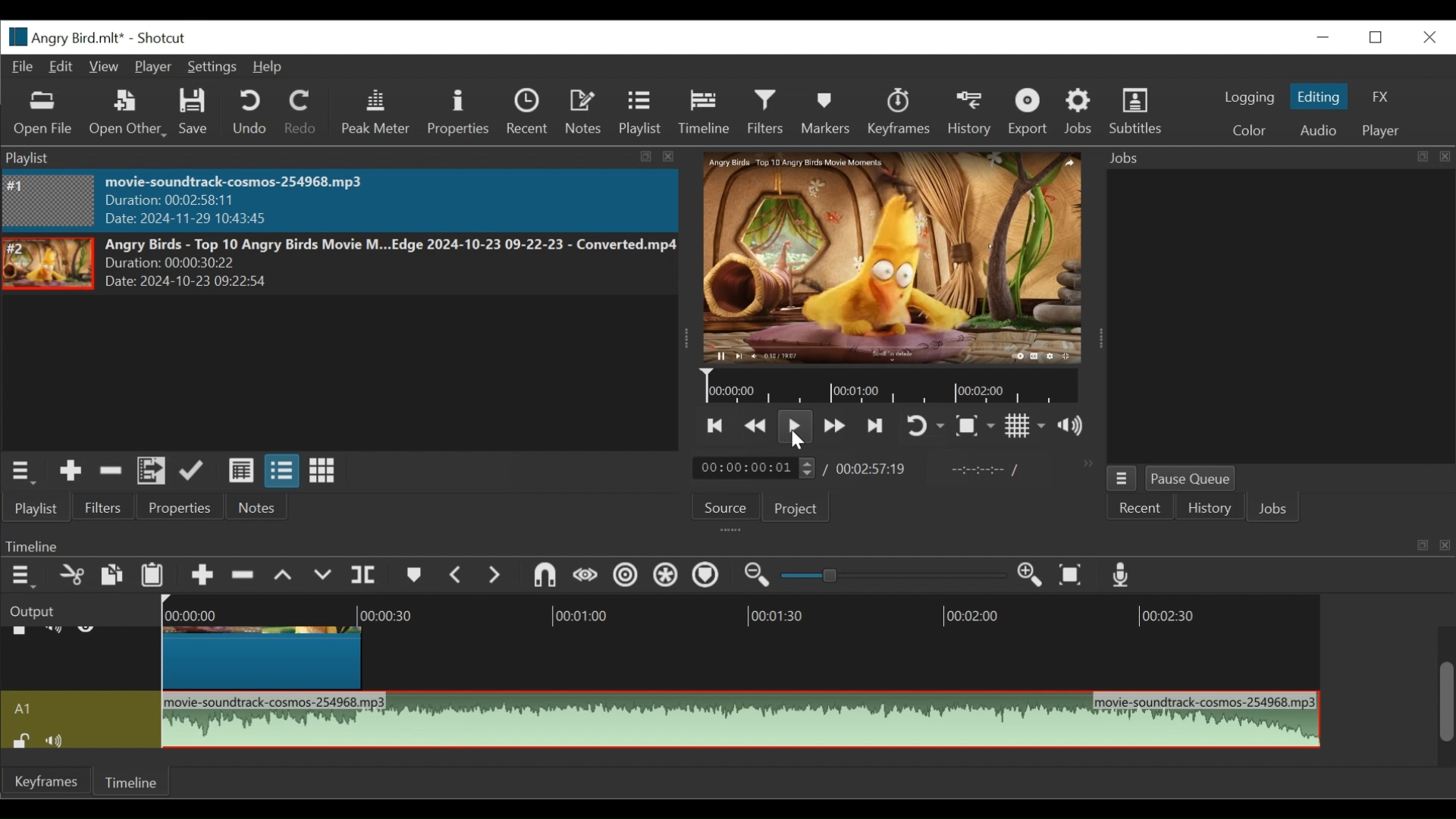 The image size is (1456, 819). Describe the element at coordinates (794, 508) in the screenshot. I see `Project` at that location.